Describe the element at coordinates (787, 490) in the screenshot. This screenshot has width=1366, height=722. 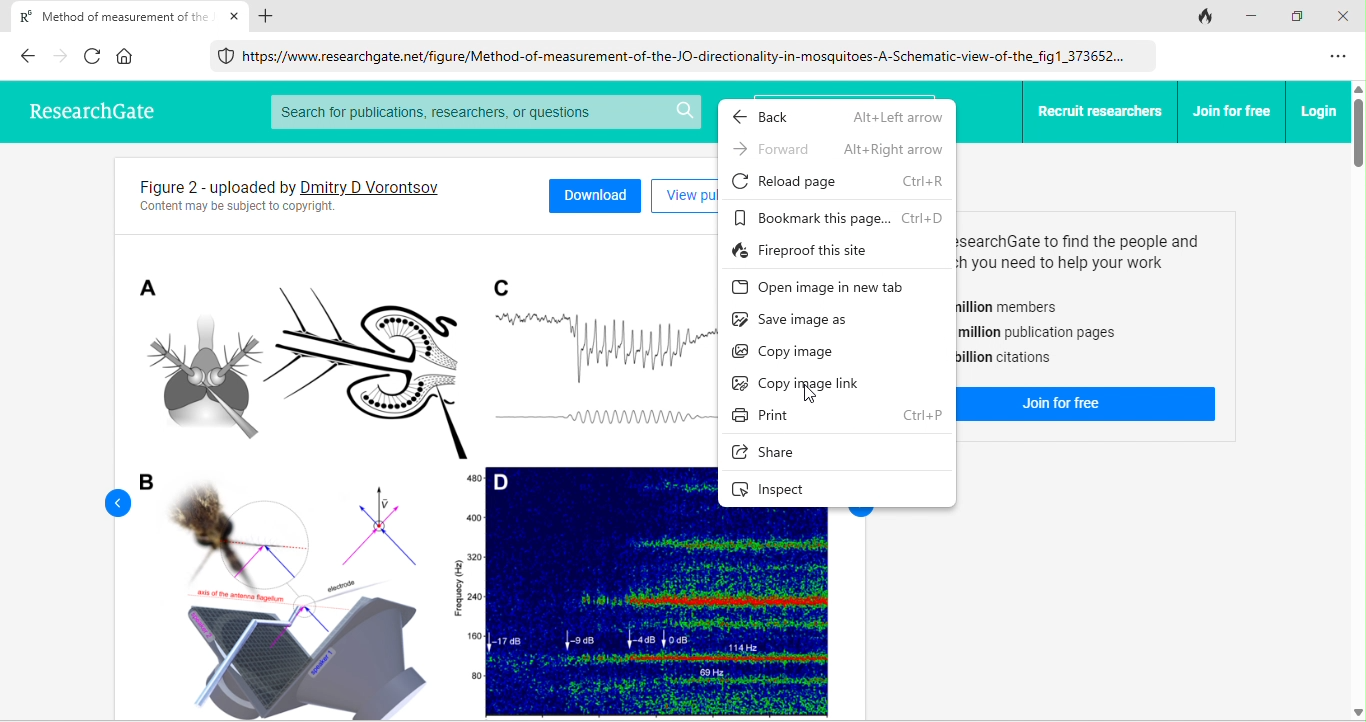
I see `inspect` at that location.